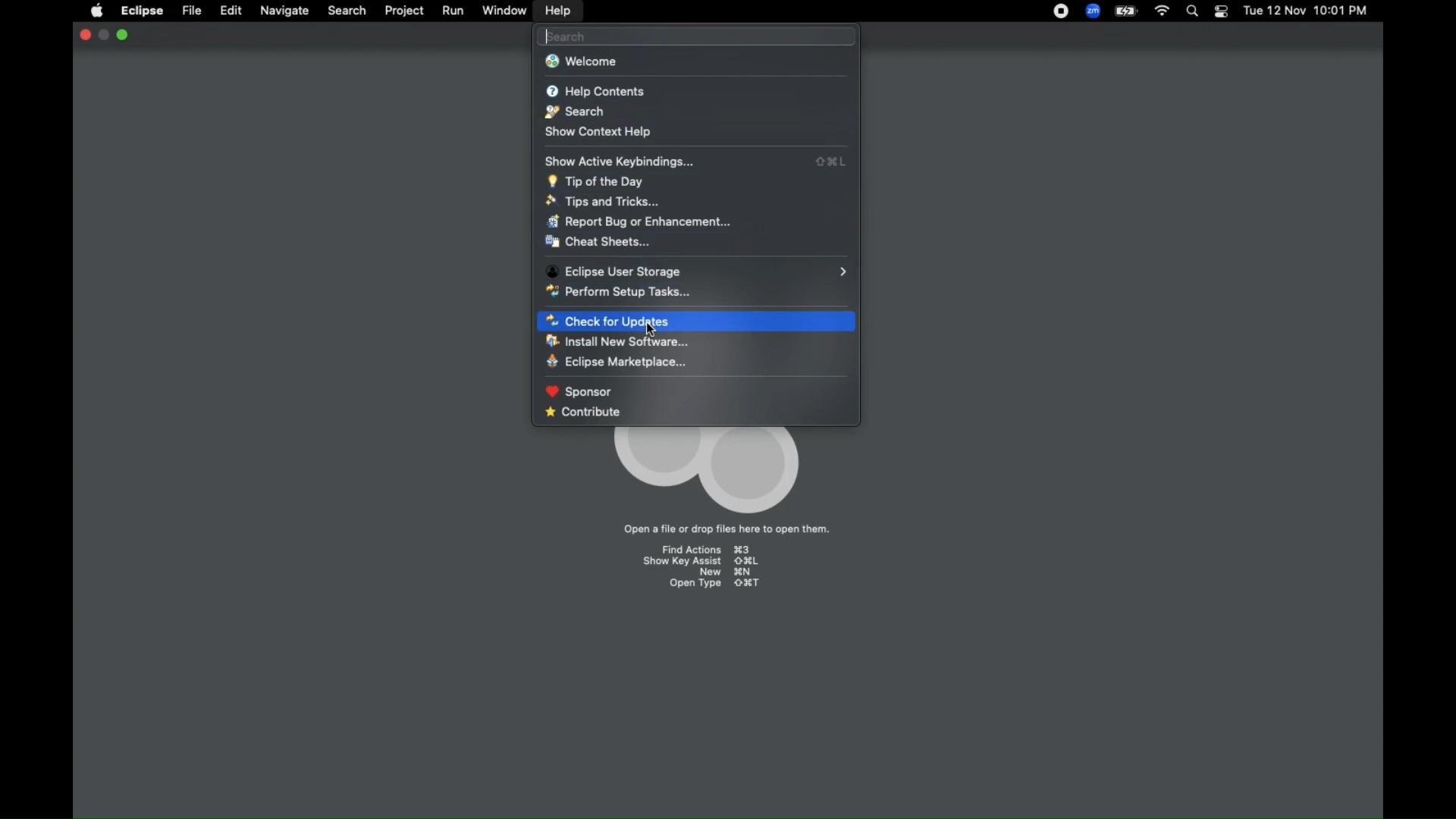 The height and width of the screenshot is (819, 1456). I want to click on Eclipse Marketplace, so click(692, 362).